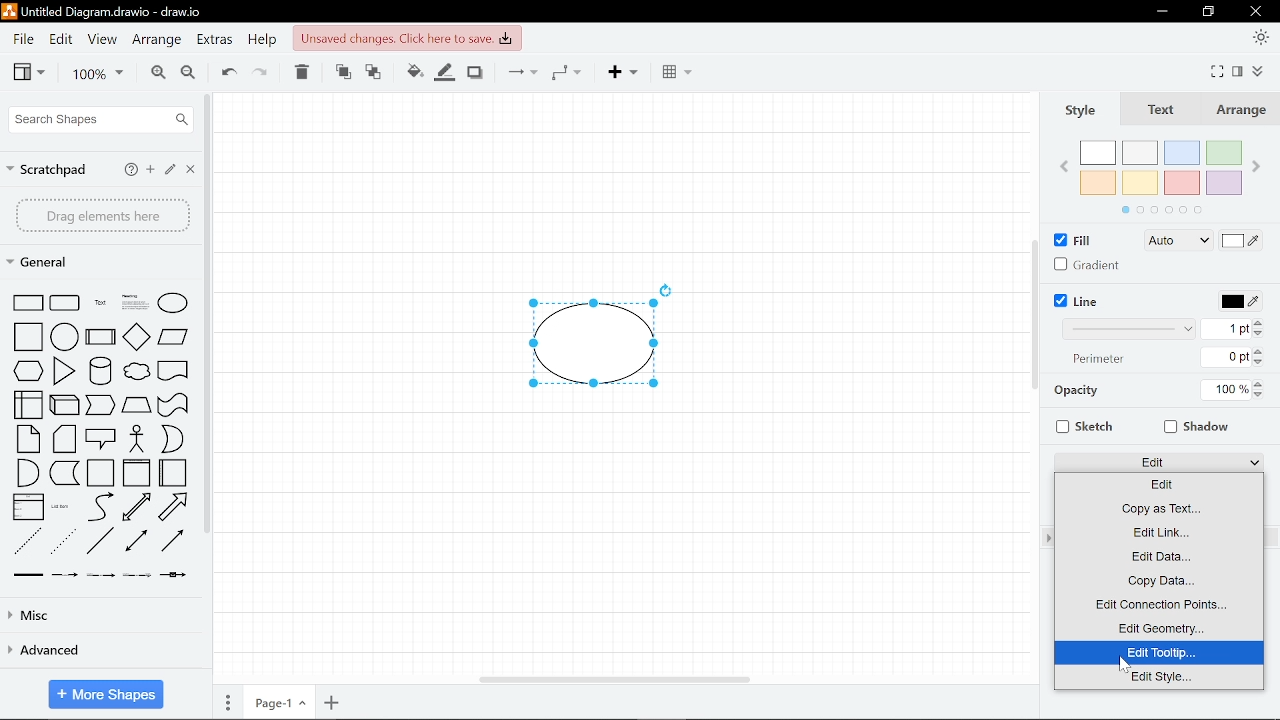 The height and width of the screenshot is (720, 1280). What do you see at coordinates (1158, 532) in the screenshot?
I see `Edit link` at bounding box center [1158, 532].